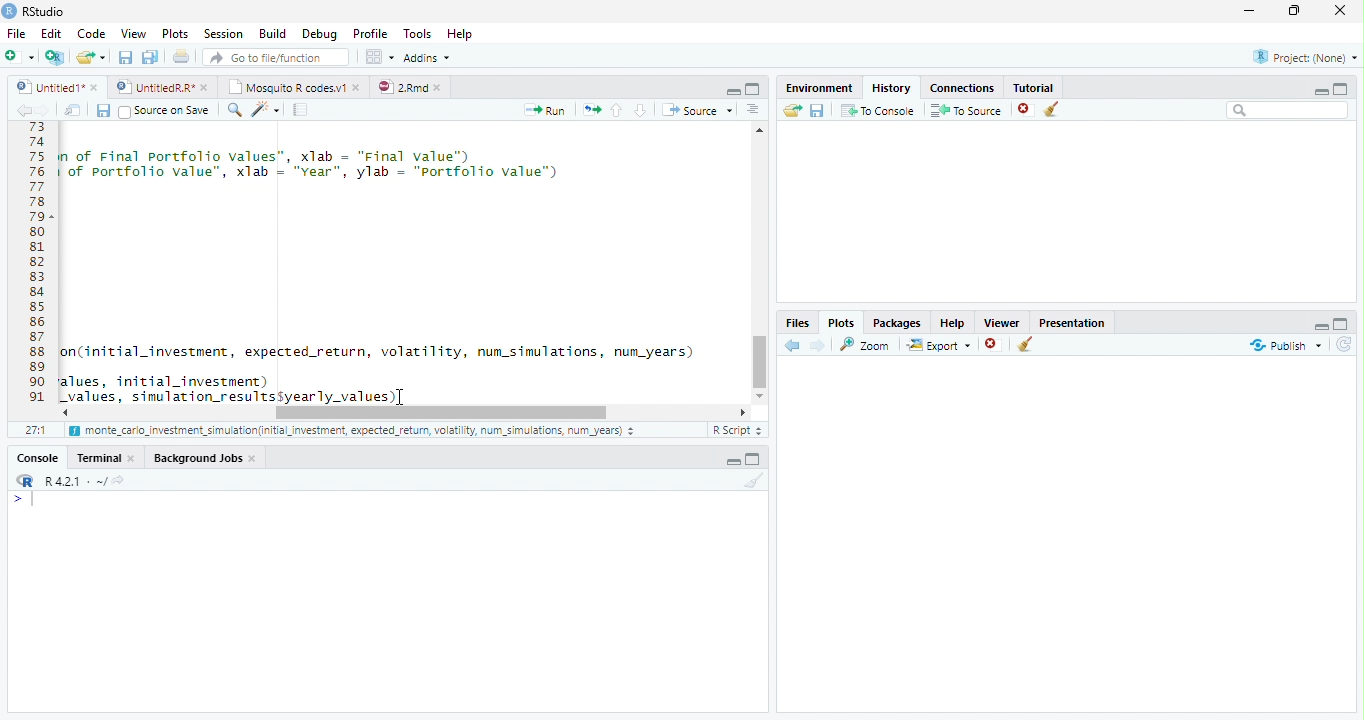  I want to click on Go to previous section of code, so click(617, 112).